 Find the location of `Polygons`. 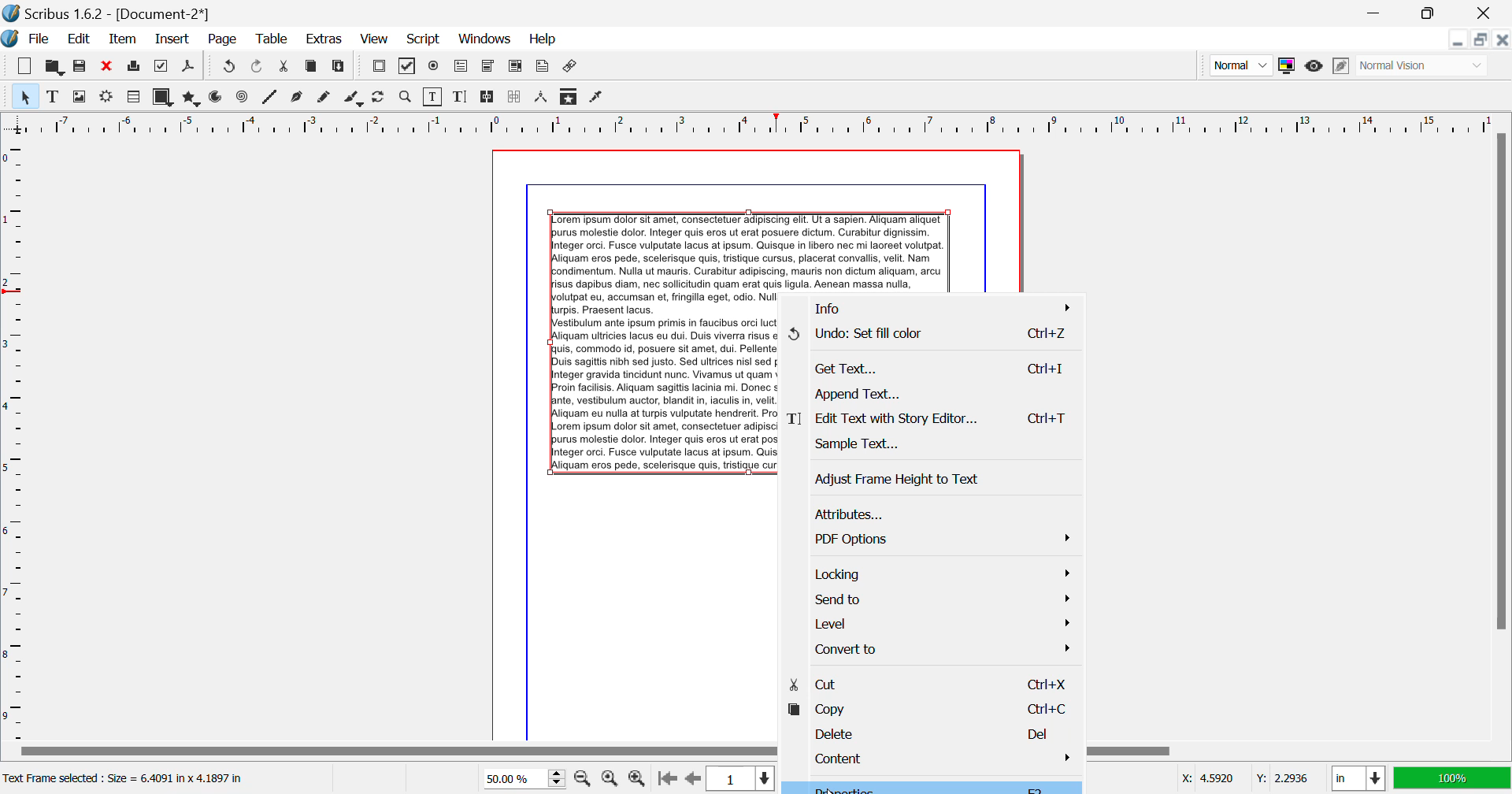

Polygons is located at coordinates (190, 98).